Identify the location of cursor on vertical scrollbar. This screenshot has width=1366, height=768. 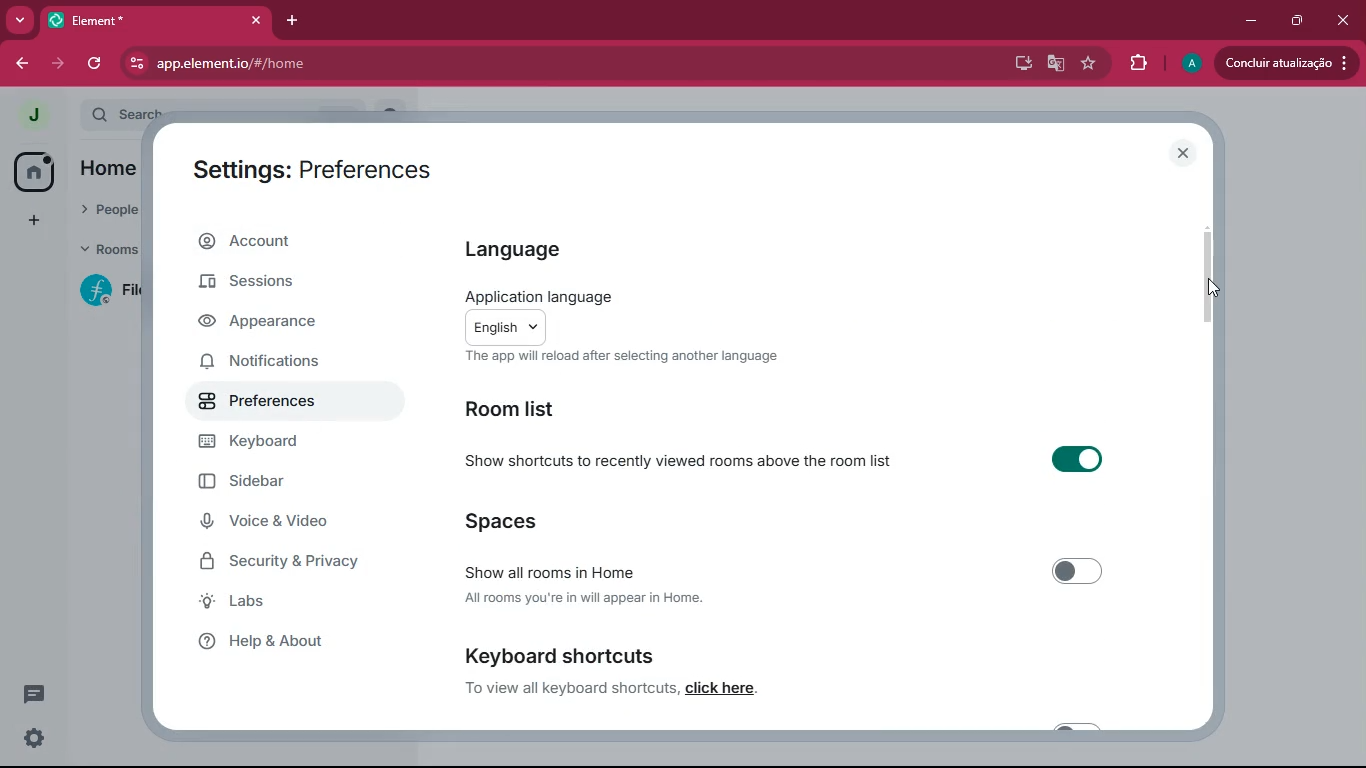
(1212, 289).